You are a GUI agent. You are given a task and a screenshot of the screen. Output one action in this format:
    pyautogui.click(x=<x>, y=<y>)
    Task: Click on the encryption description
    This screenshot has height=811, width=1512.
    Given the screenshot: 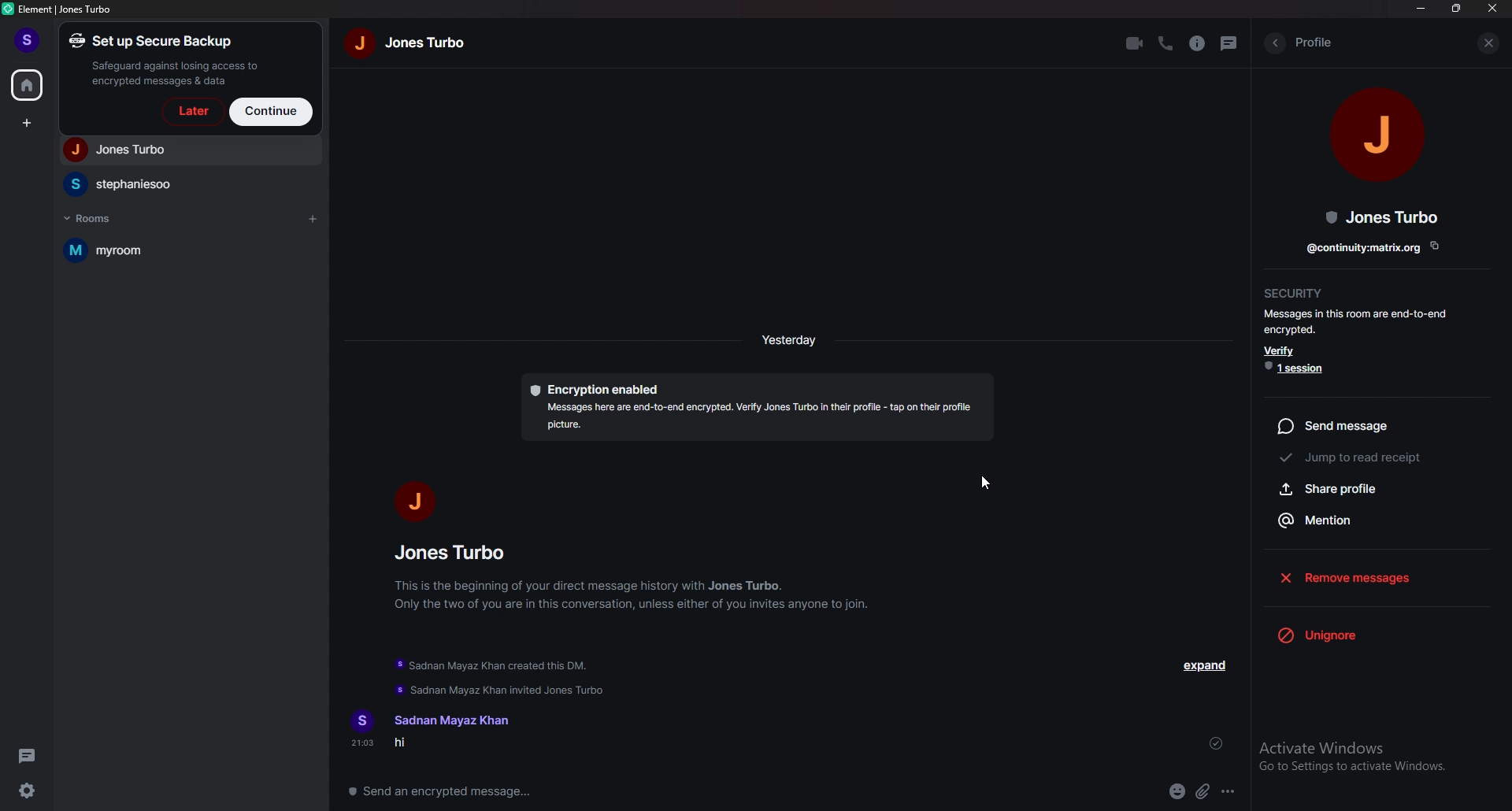 What is the action you would take?
    pyautogui.click(x=757, y=409)
    